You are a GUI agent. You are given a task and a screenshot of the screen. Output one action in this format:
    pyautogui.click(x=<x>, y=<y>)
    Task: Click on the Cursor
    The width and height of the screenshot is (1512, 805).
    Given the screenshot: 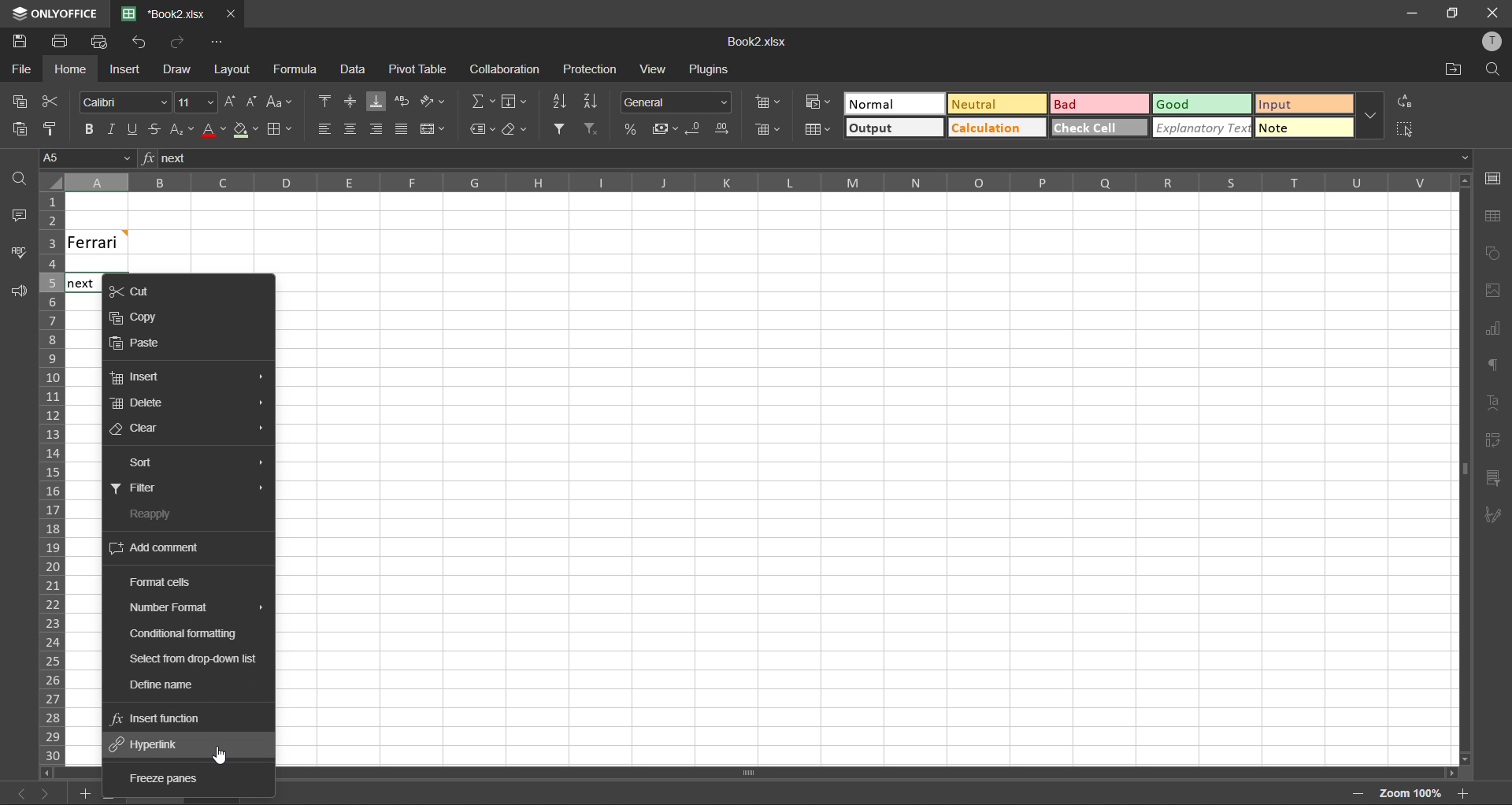 What is the action you would take?
    pyautogui.click(x=221, y=755)
    